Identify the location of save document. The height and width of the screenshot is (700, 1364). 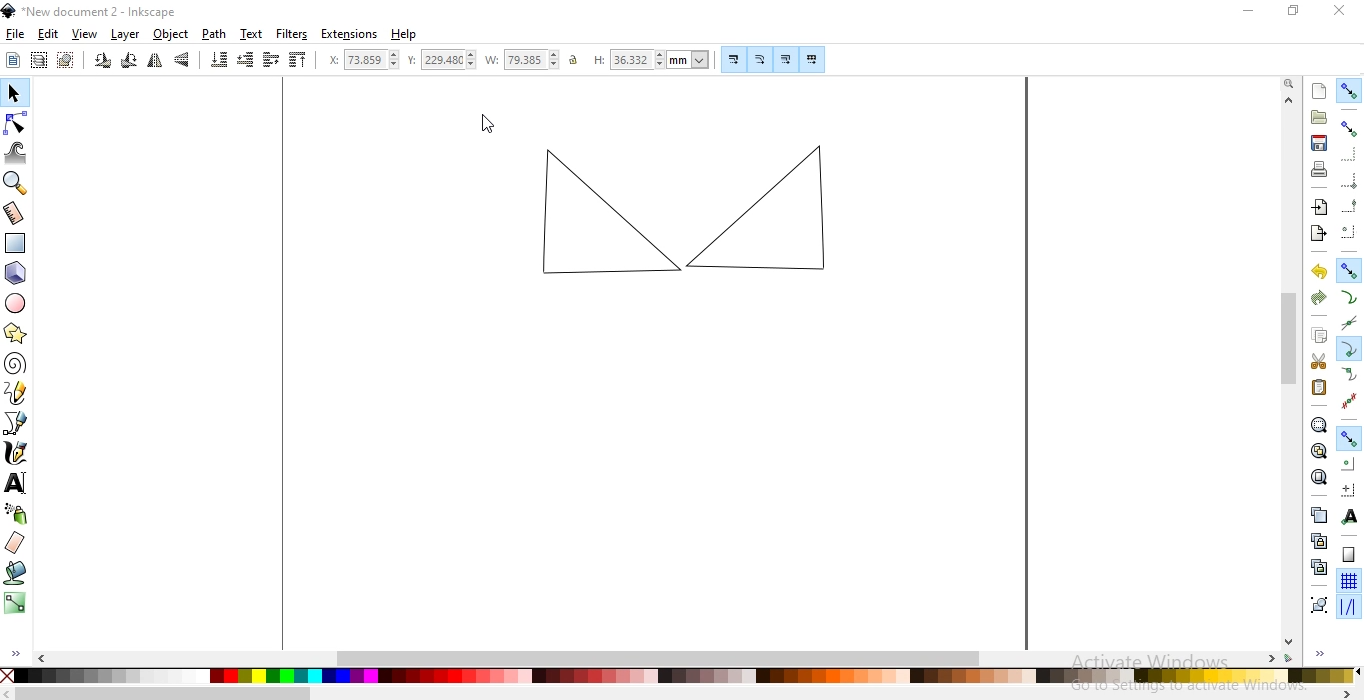
(1320, 143).